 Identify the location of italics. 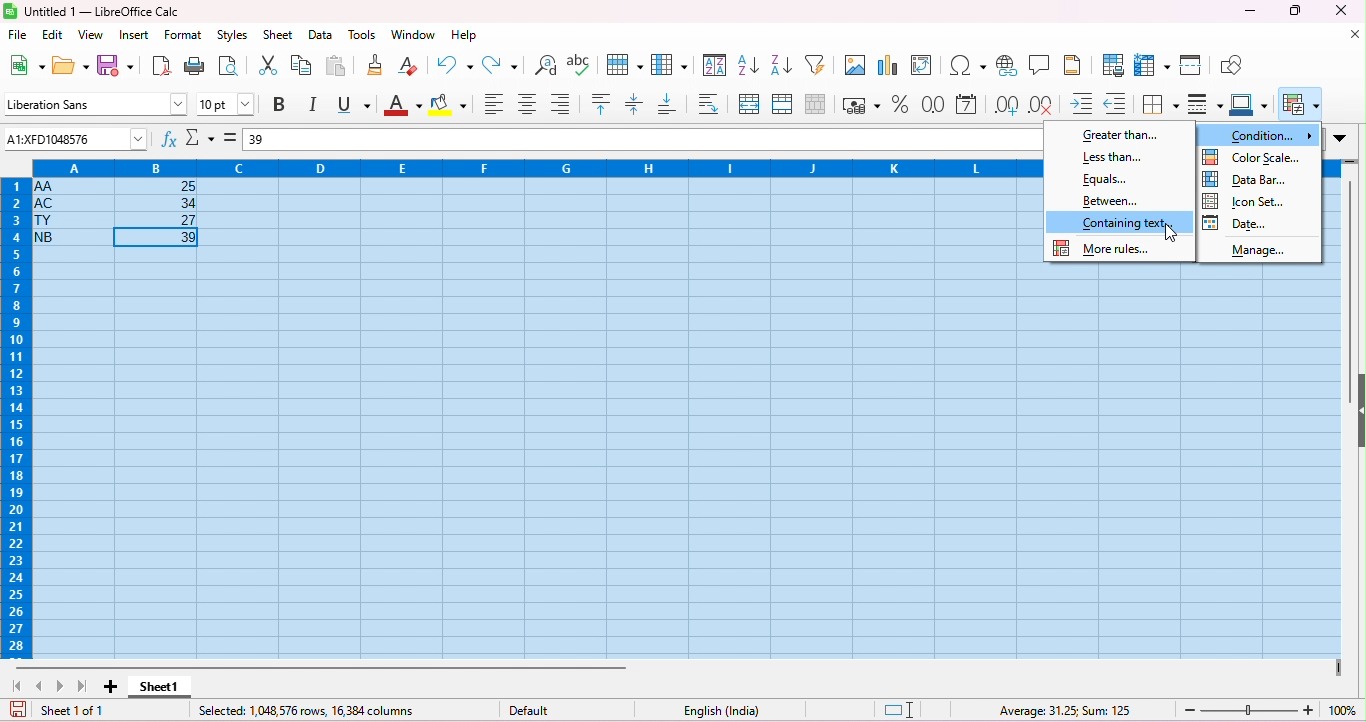
(315, 105).